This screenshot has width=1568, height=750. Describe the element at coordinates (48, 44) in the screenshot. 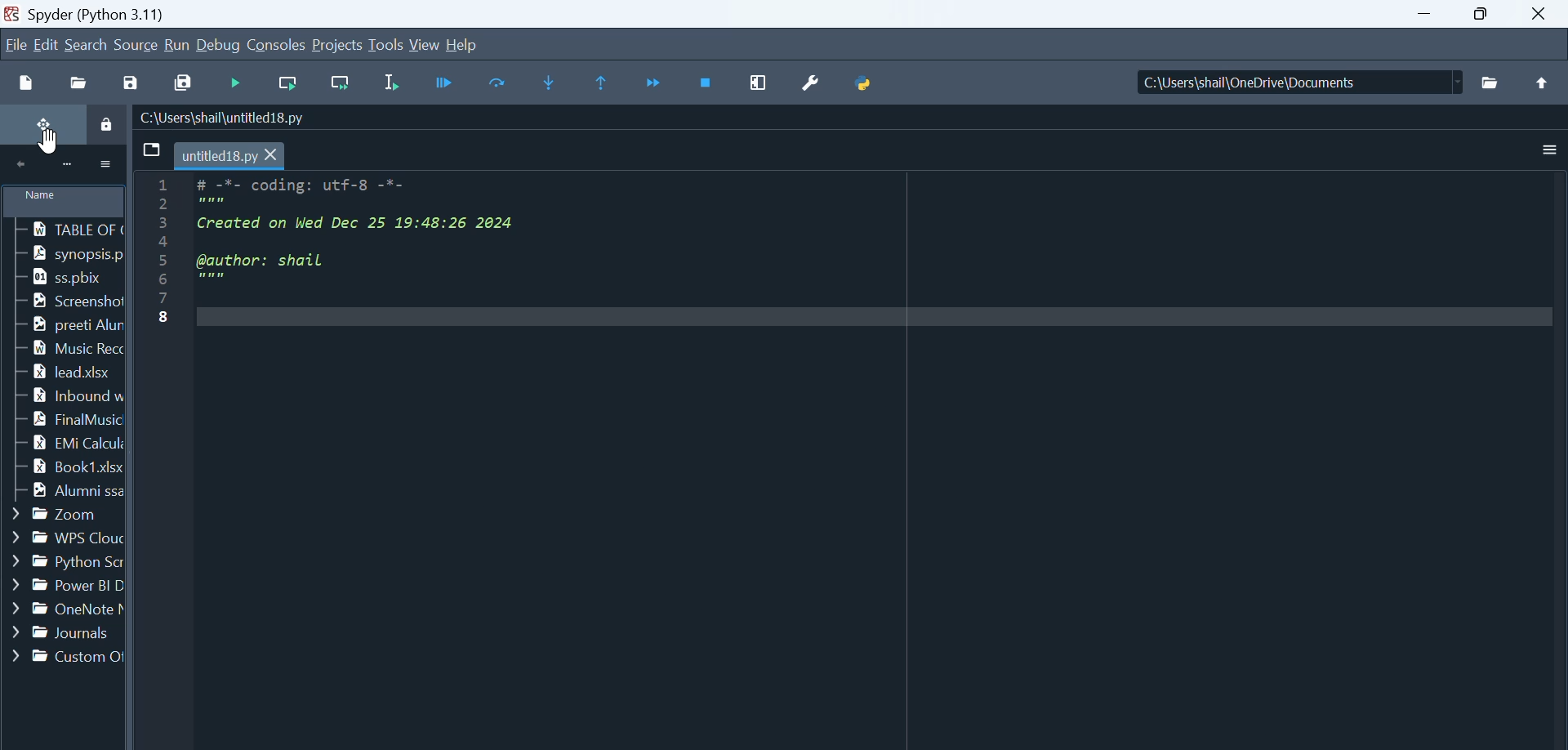

I see `` at that location.